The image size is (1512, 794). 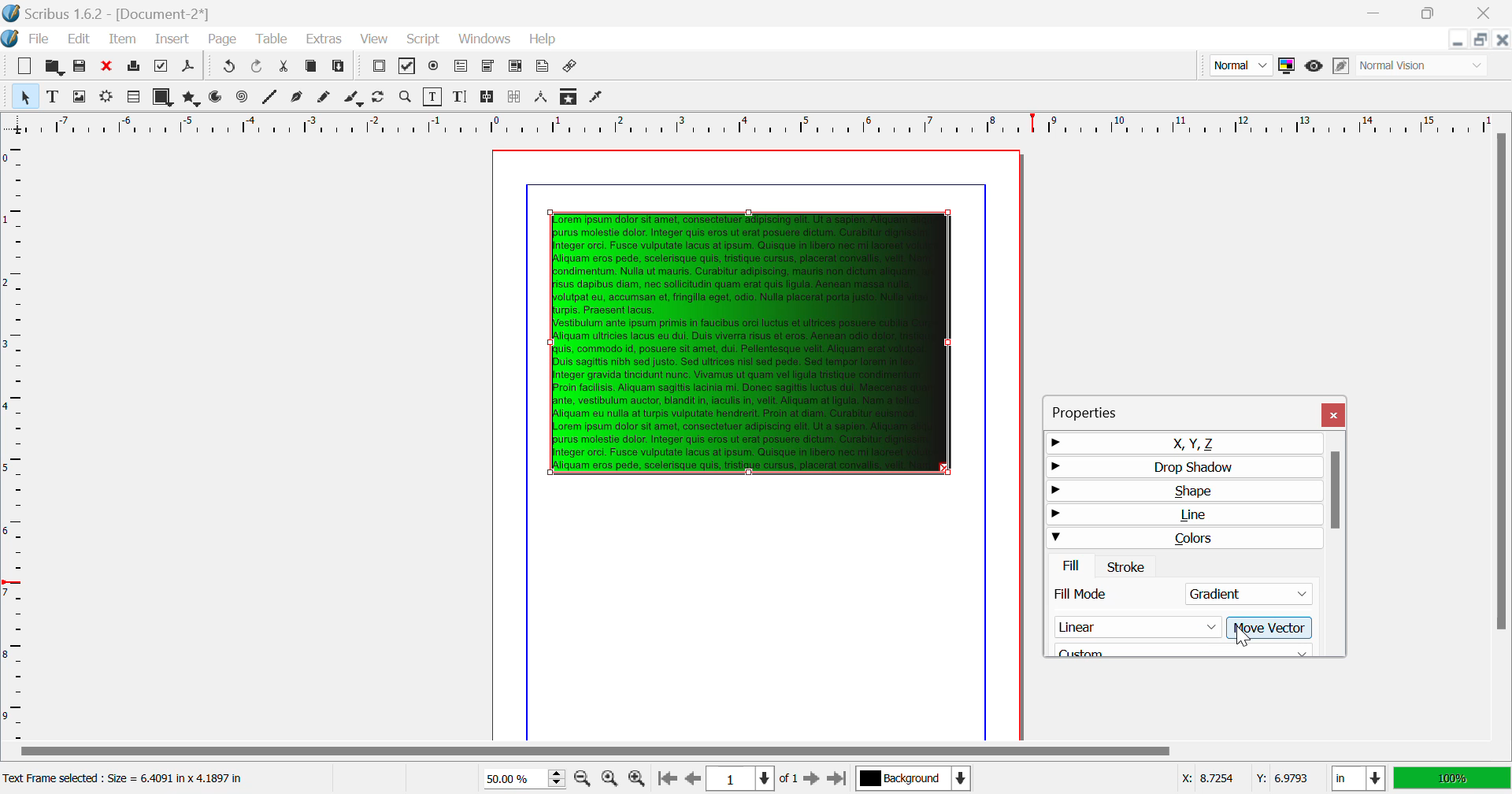 What do you see at coordinates (173, 40) in the screenshot?
I see `Insert` at bounding box center [173, 40].